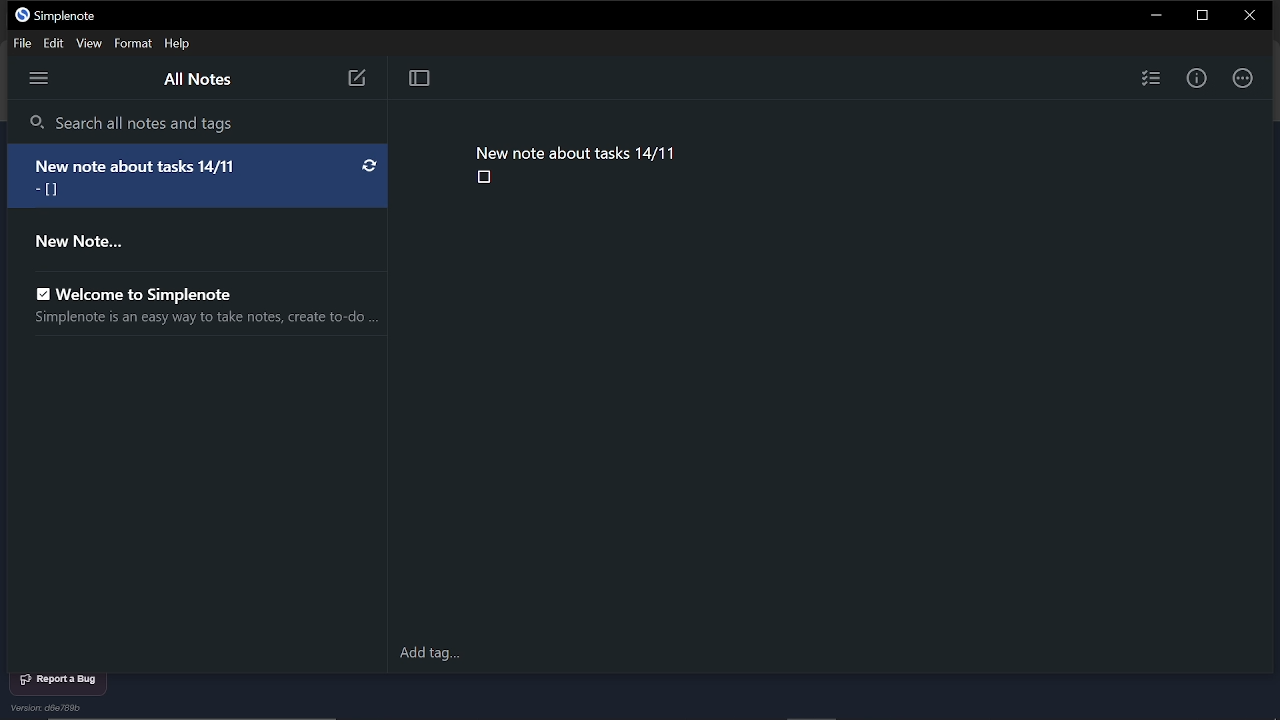  What do you see at coordinates (134, 43) in the screenshot?
I see `Format` at bounding box center [134, 43].